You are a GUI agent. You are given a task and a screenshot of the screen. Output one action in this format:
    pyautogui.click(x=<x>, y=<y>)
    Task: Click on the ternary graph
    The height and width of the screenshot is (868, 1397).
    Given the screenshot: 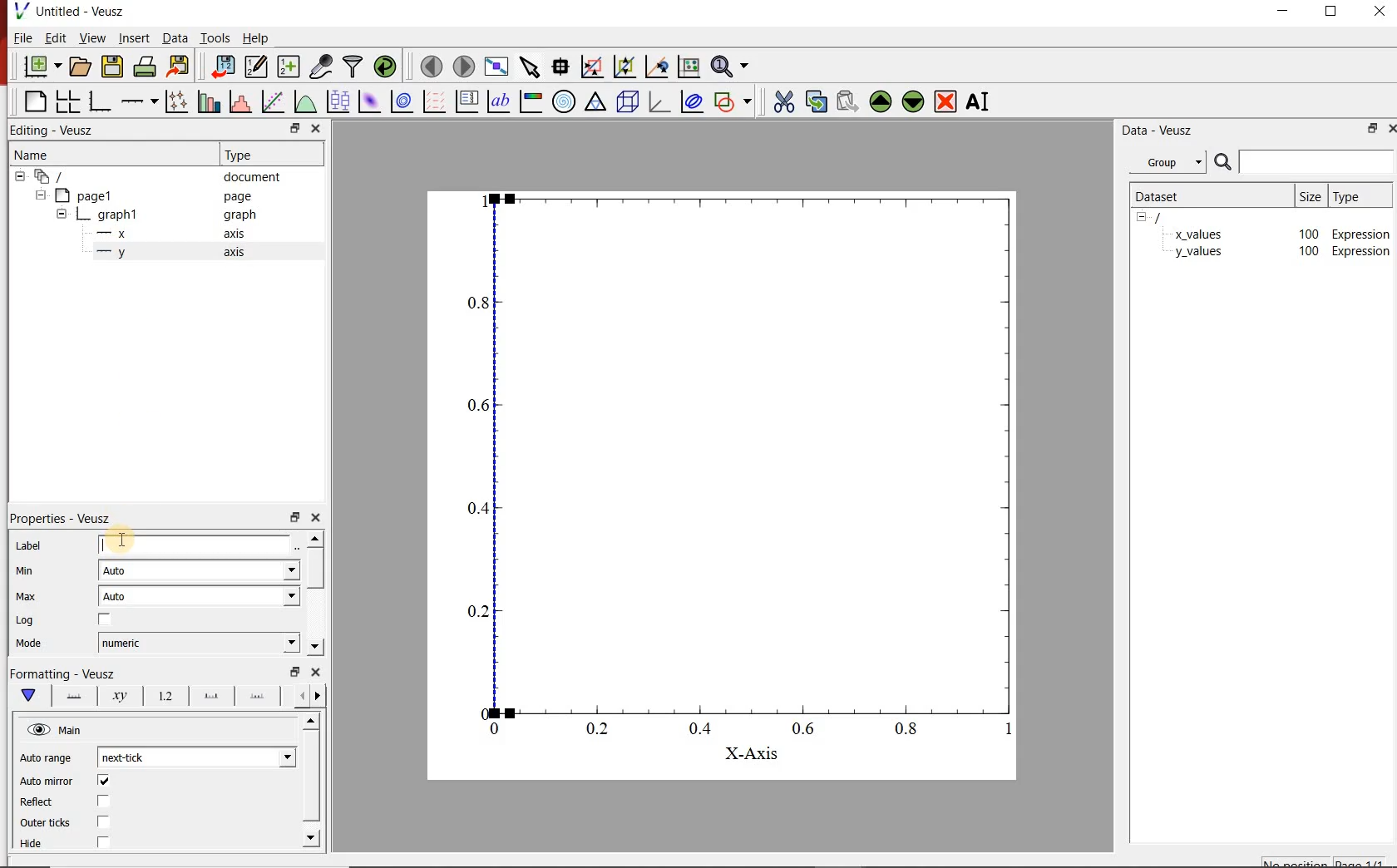 What is the action you would take?
    pyautogui.click(x=597, y=104)
    